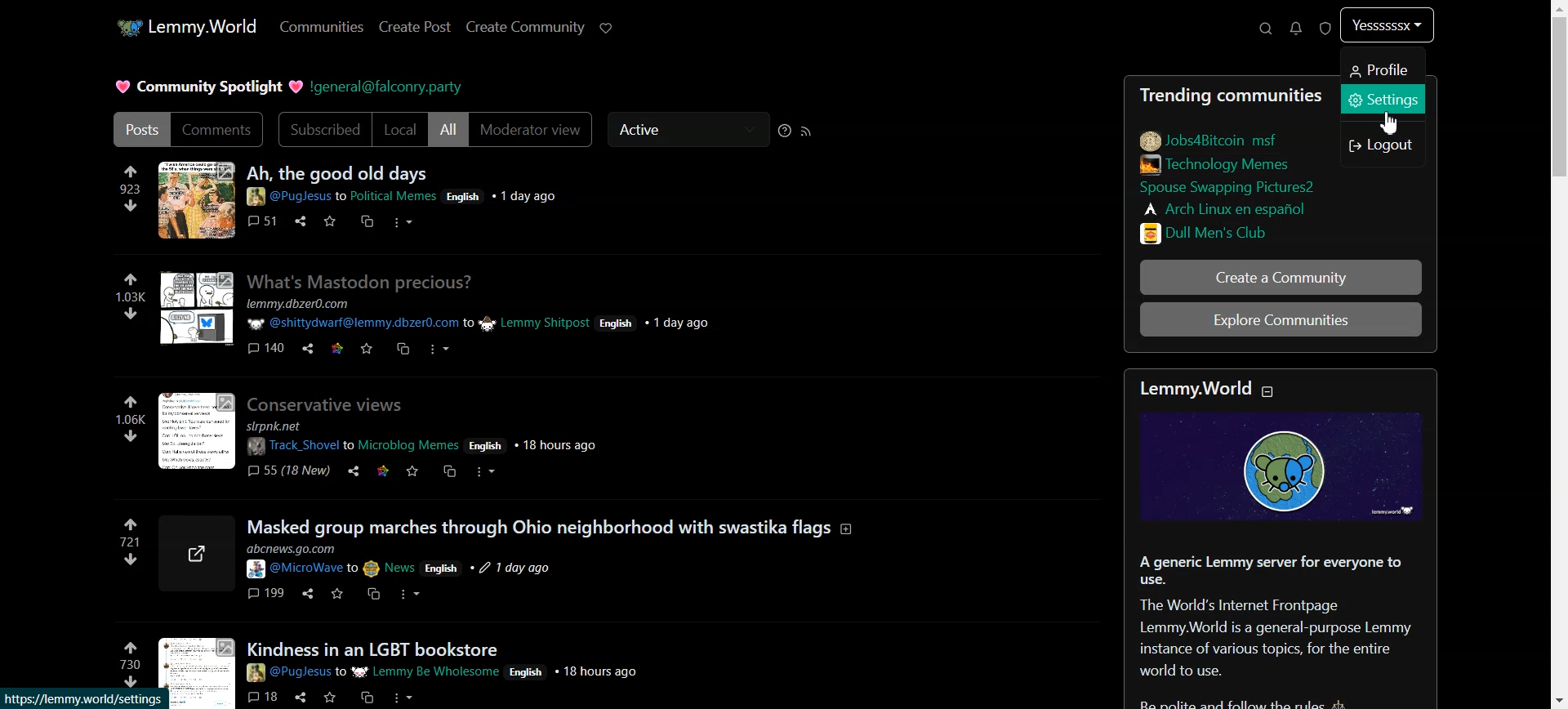 The width and height of the screenshot is (1568, 709). I want to click on Text, so click(1280, 626).